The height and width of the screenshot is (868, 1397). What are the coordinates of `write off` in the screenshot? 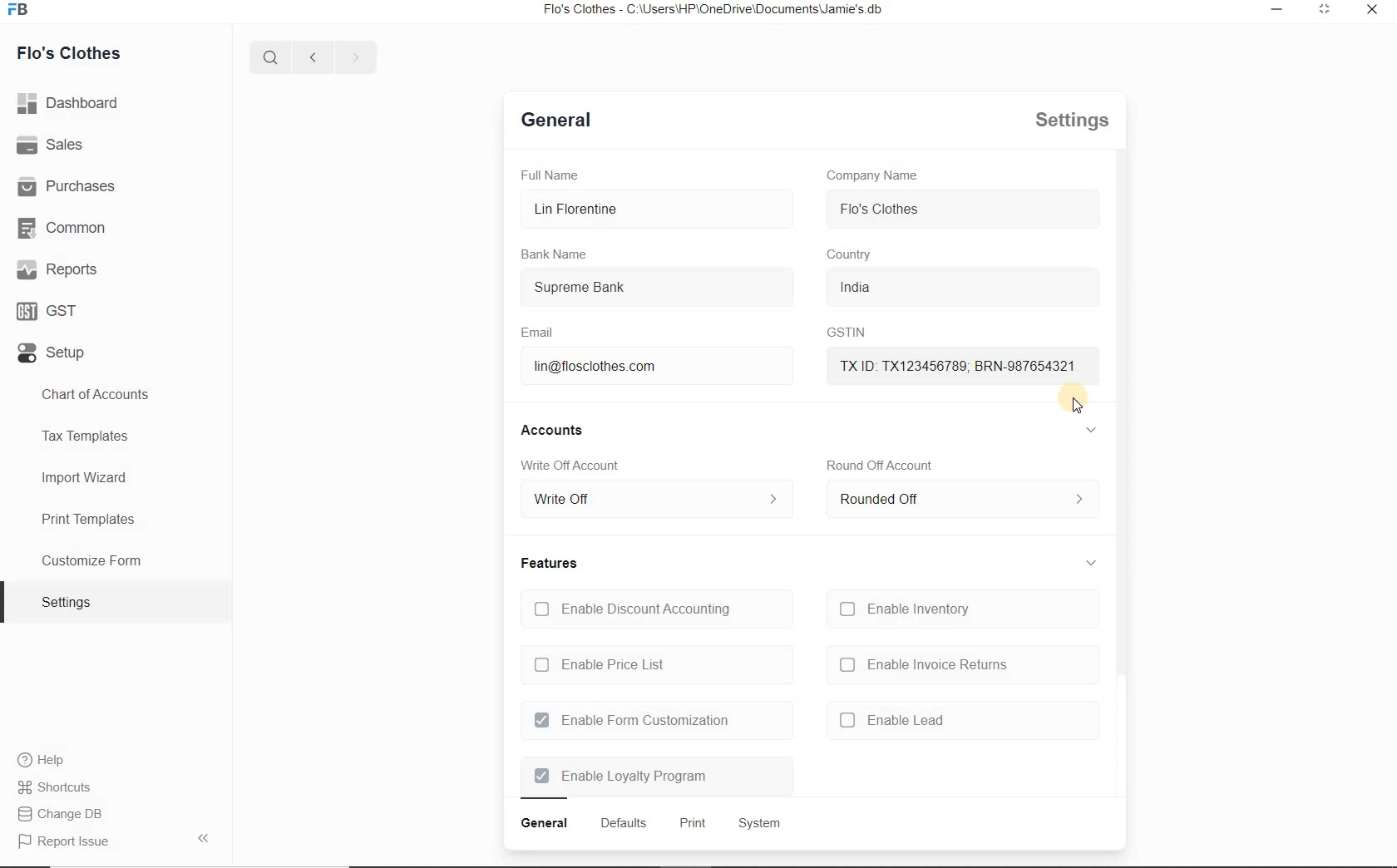 It's located at (654, 501).